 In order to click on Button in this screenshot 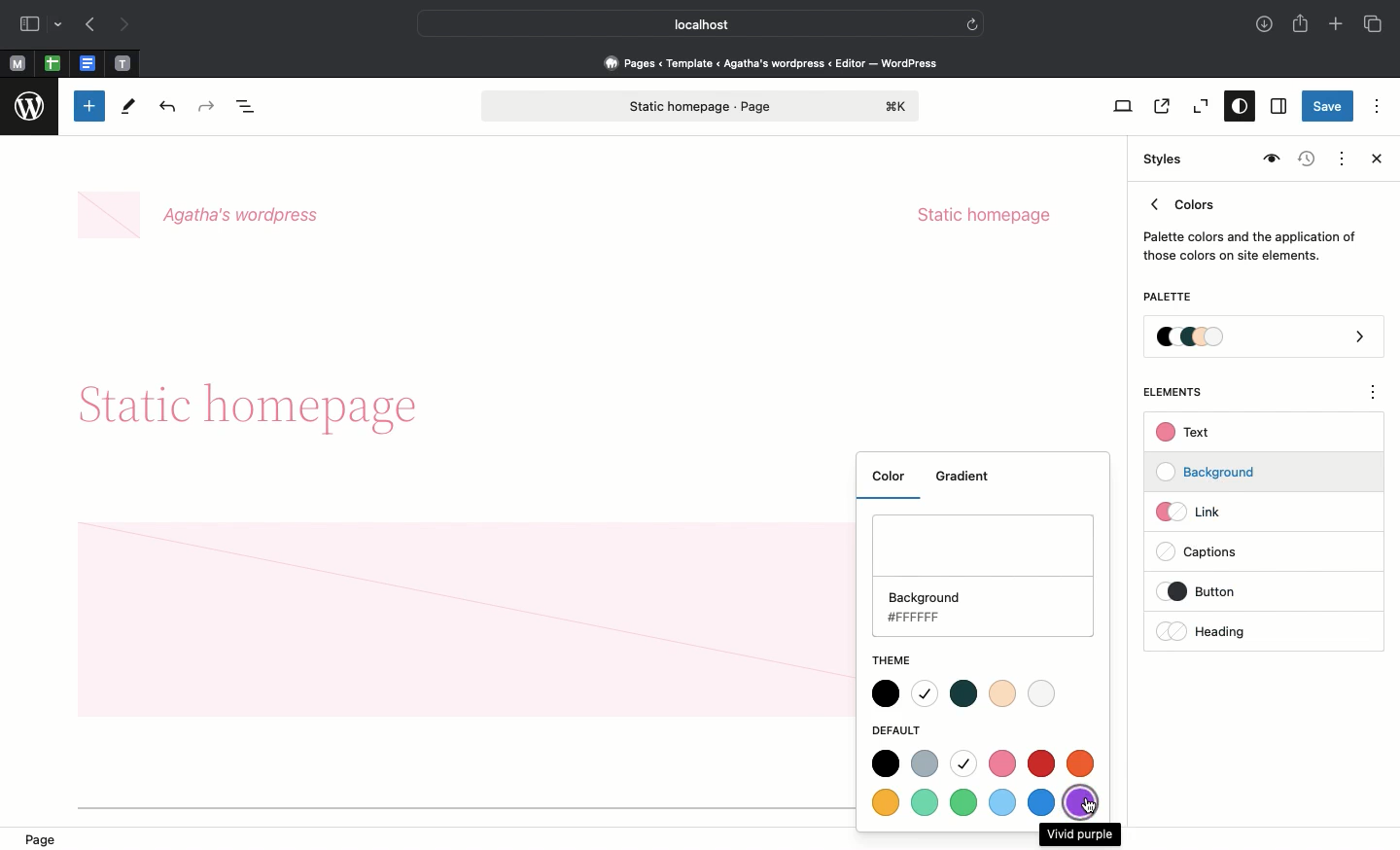, I will do `click(1214, 591)`.